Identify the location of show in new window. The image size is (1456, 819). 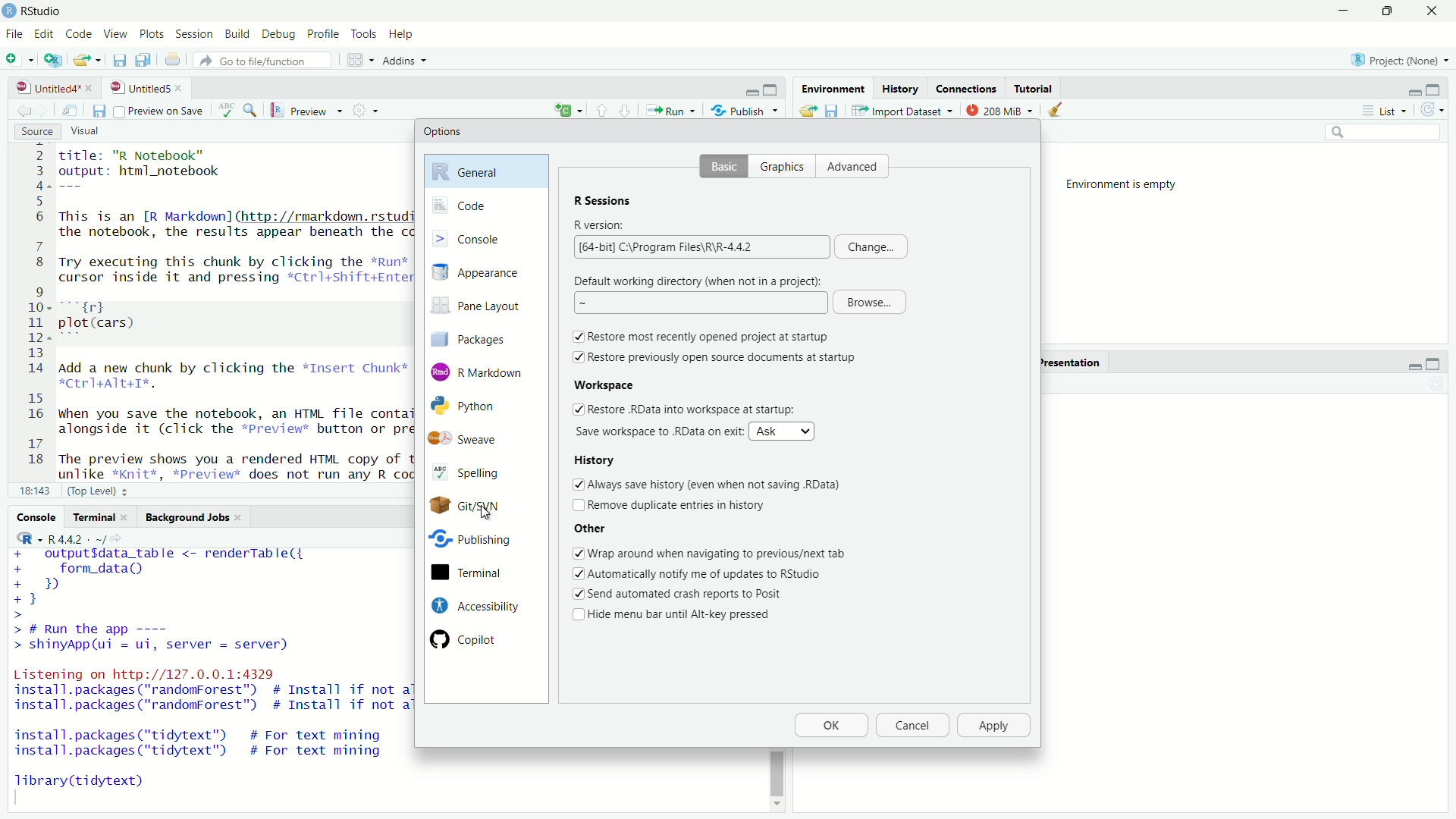
(70, 111).